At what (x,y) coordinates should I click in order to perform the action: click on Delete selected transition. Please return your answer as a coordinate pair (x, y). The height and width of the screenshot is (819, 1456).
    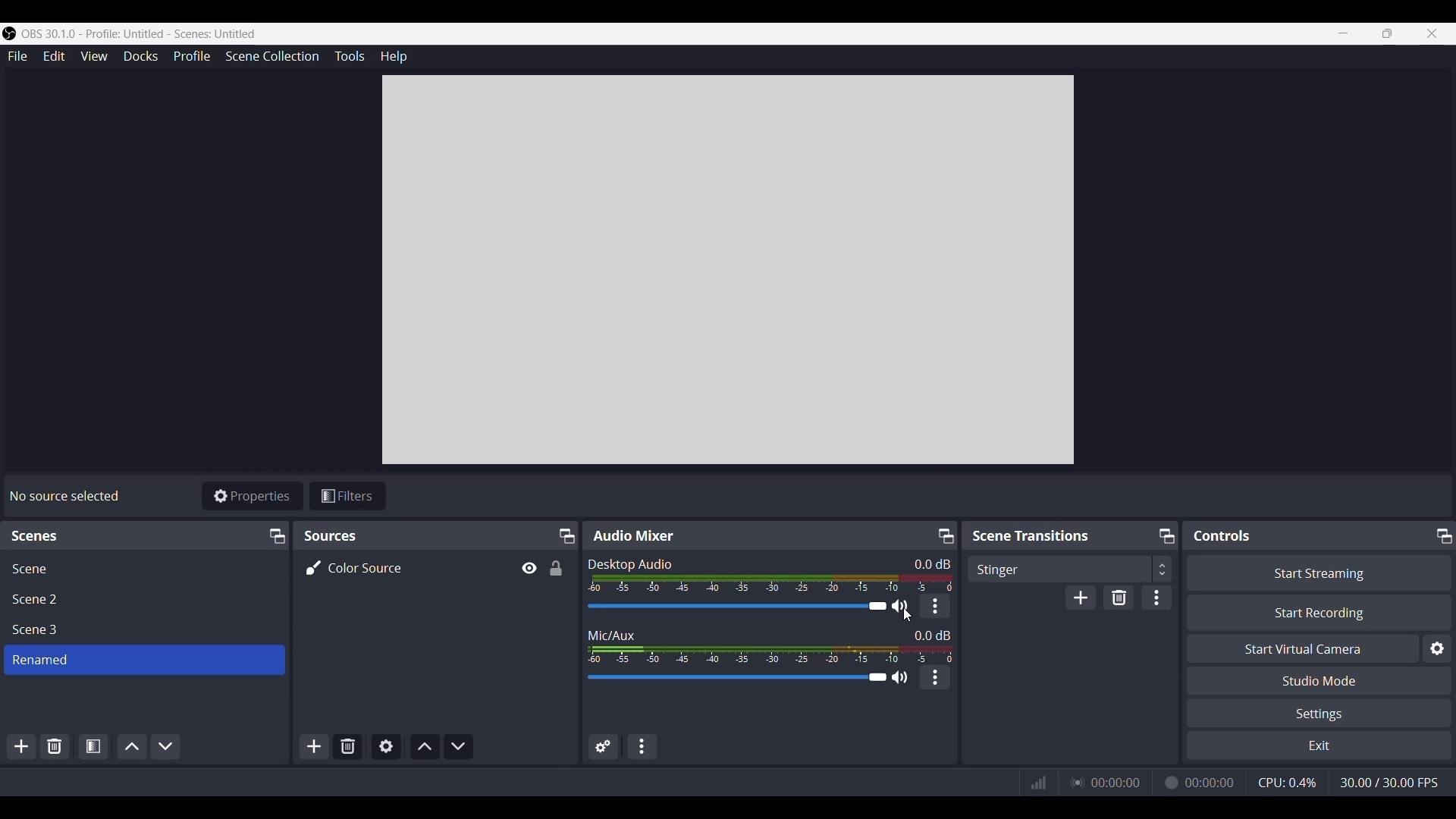
    Looking at the image, I should click on (1119, 598).